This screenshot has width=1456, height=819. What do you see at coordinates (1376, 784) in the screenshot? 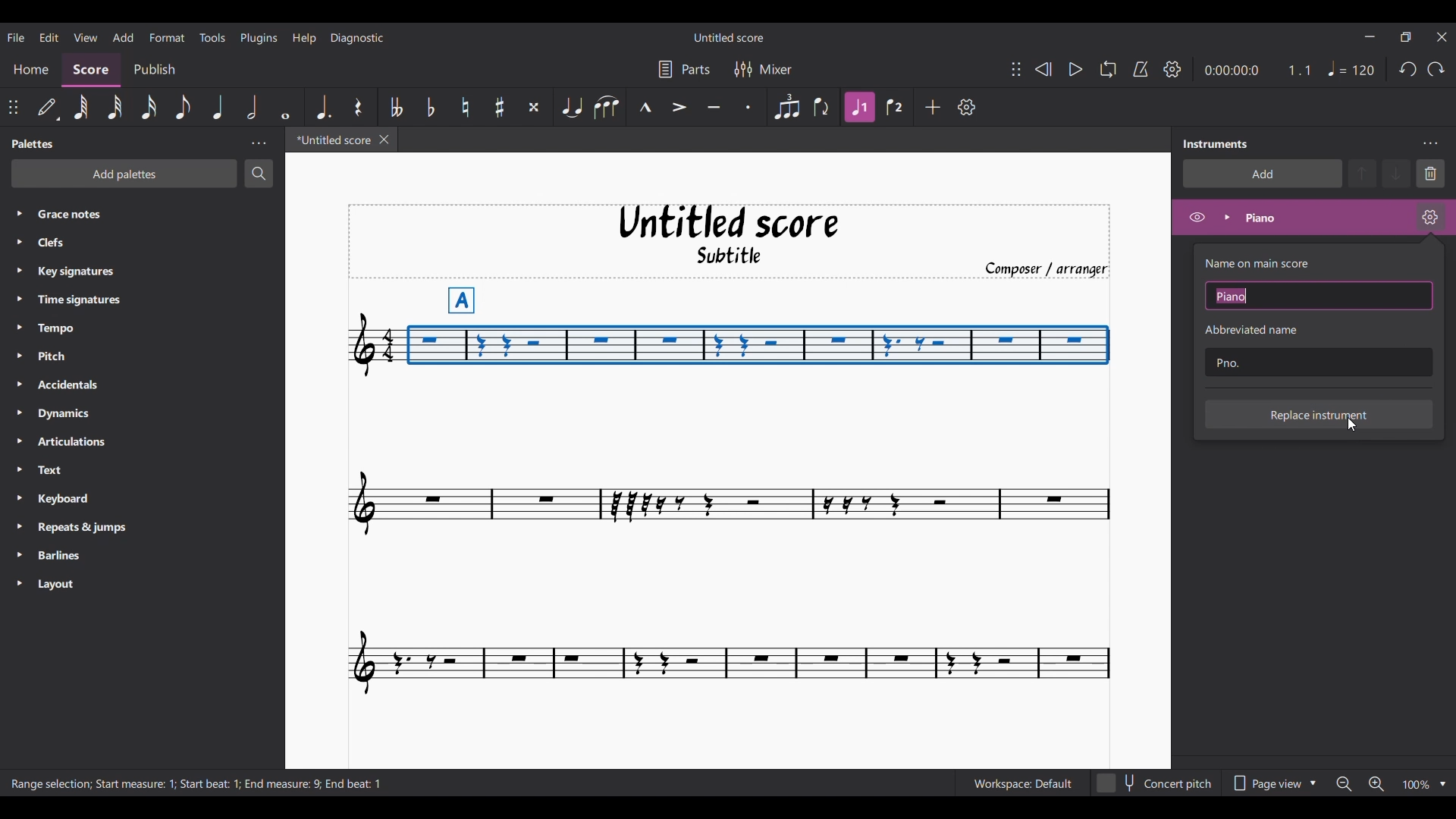
I see `Zoom in` at bounding box center [1376, 784].